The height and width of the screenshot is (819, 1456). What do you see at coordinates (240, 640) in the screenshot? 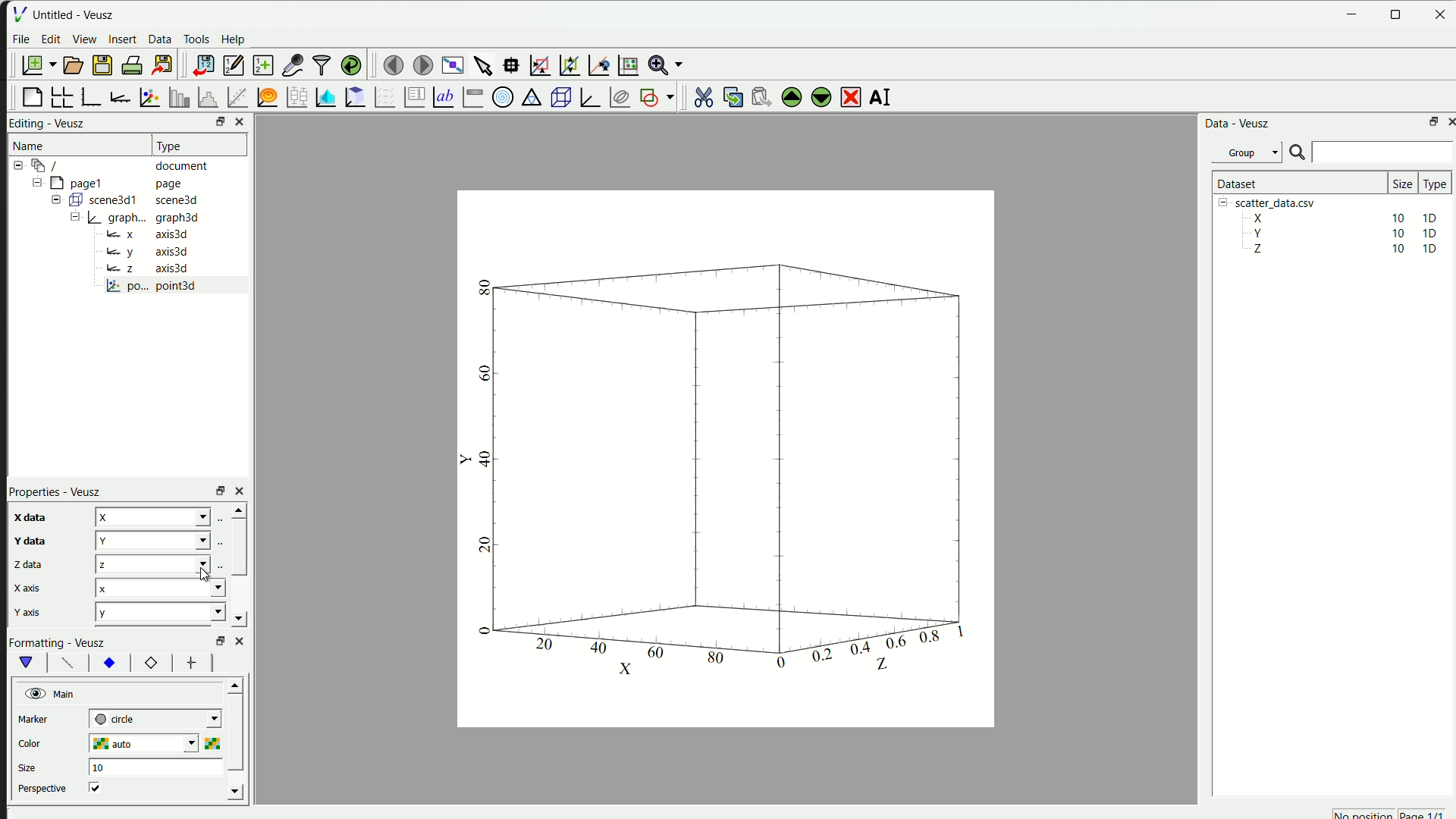
I see `close` at bounding box center [240, 640].